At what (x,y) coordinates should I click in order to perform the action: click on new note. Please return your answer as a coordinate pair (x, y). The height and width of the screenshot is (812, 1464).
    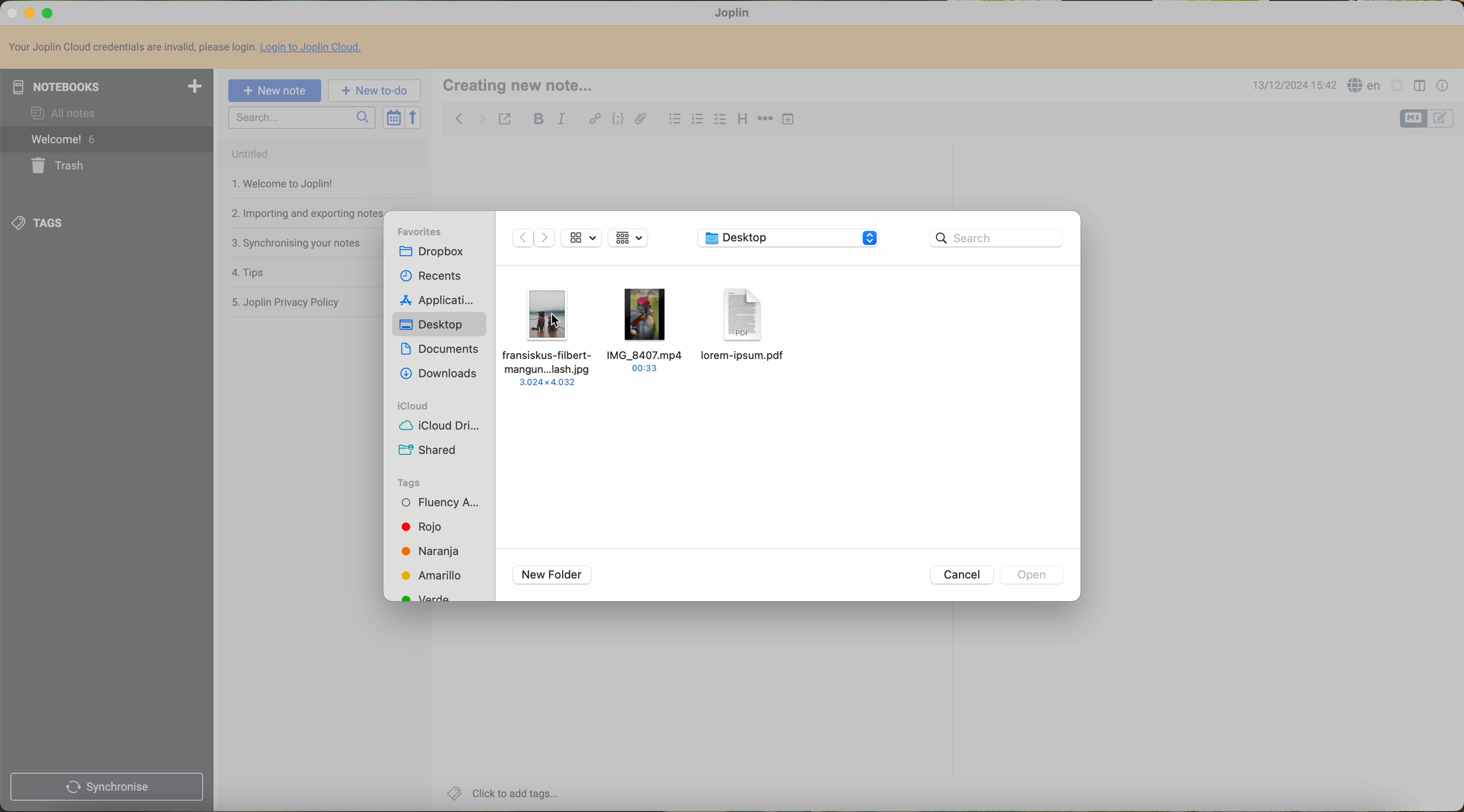
    Looking at the image, I should click on (274, 91).